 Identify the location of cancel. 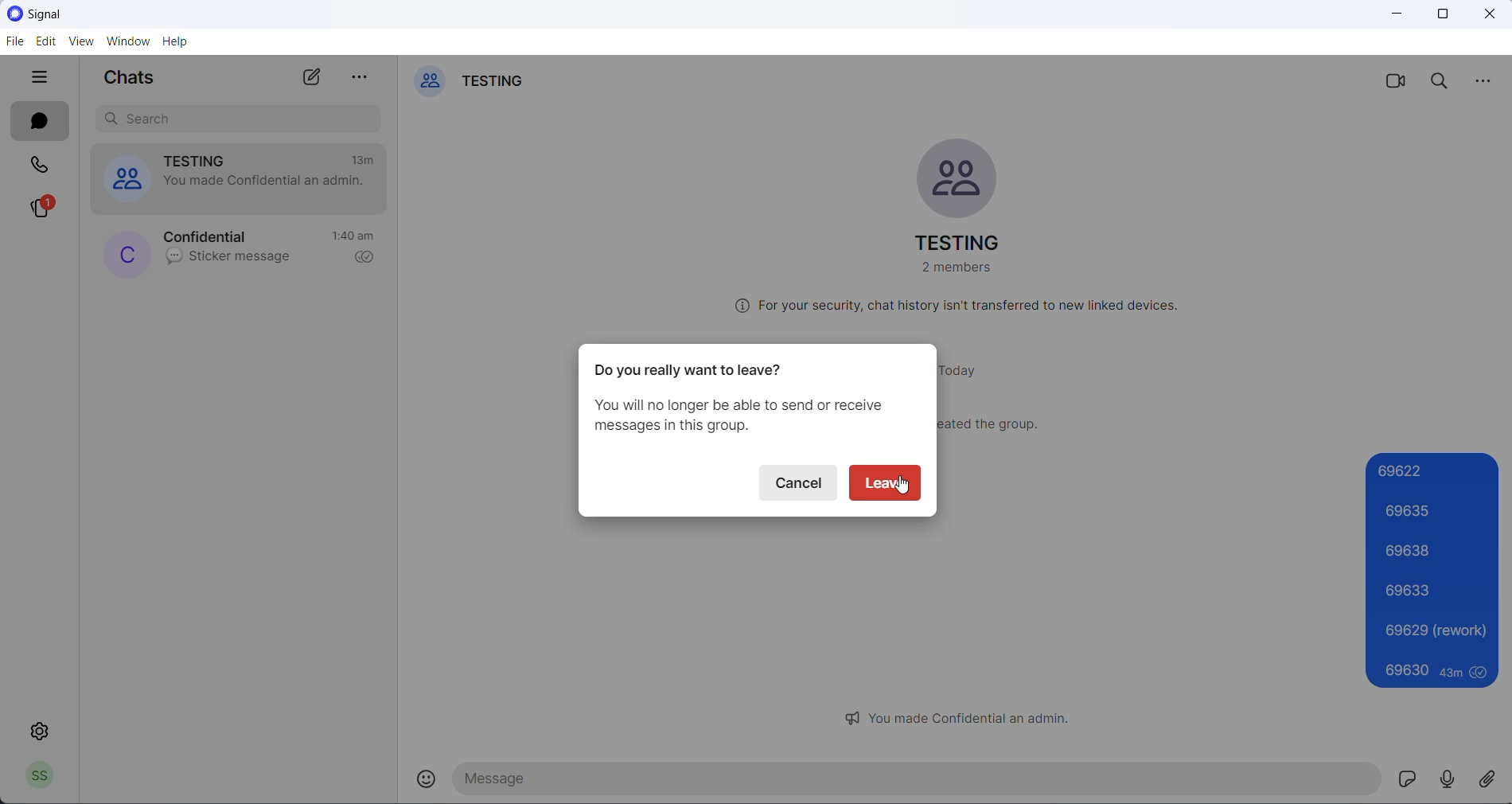
(799, 482).